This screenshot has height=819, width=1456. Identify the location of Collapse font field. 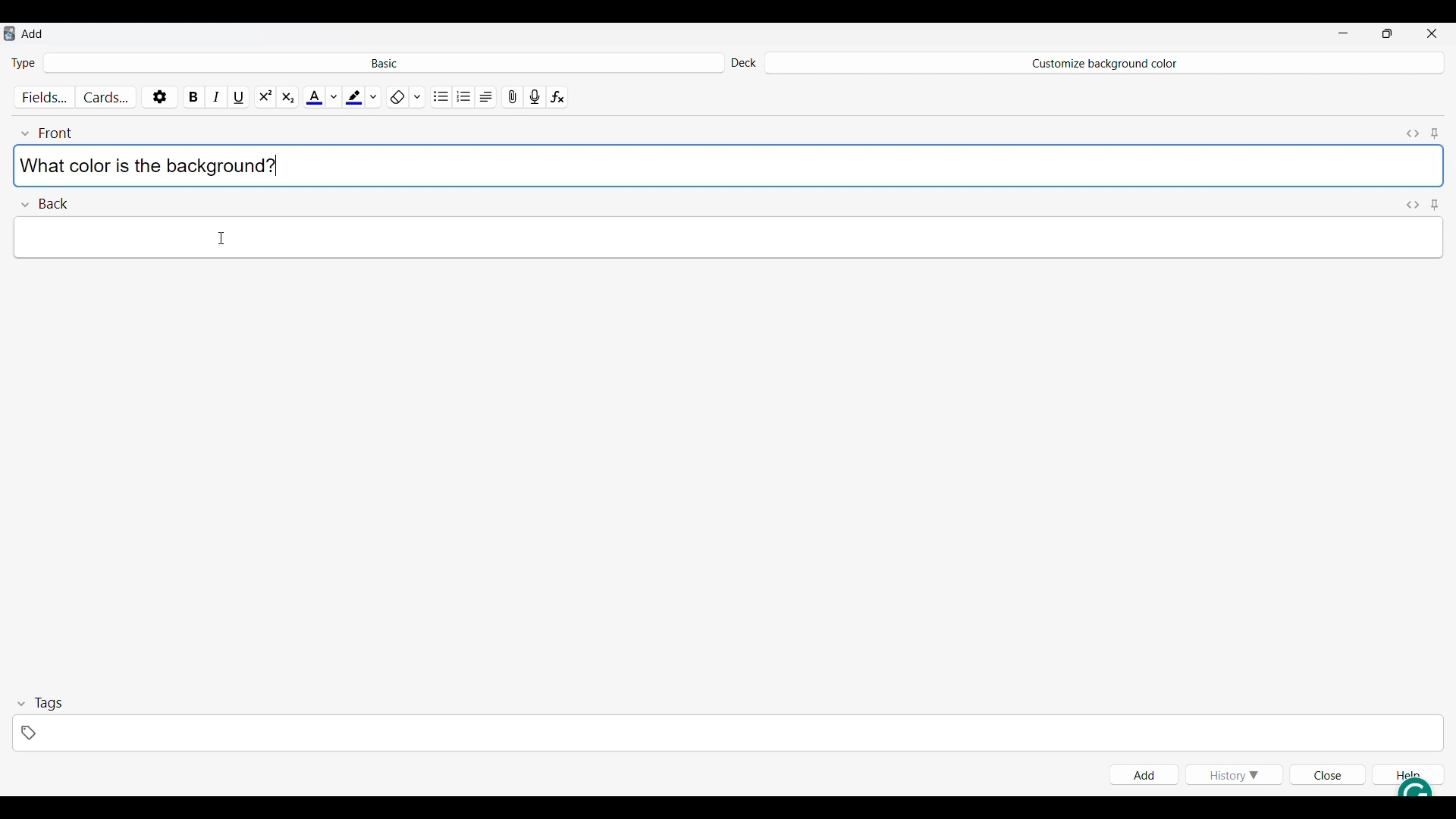
(46, 131).